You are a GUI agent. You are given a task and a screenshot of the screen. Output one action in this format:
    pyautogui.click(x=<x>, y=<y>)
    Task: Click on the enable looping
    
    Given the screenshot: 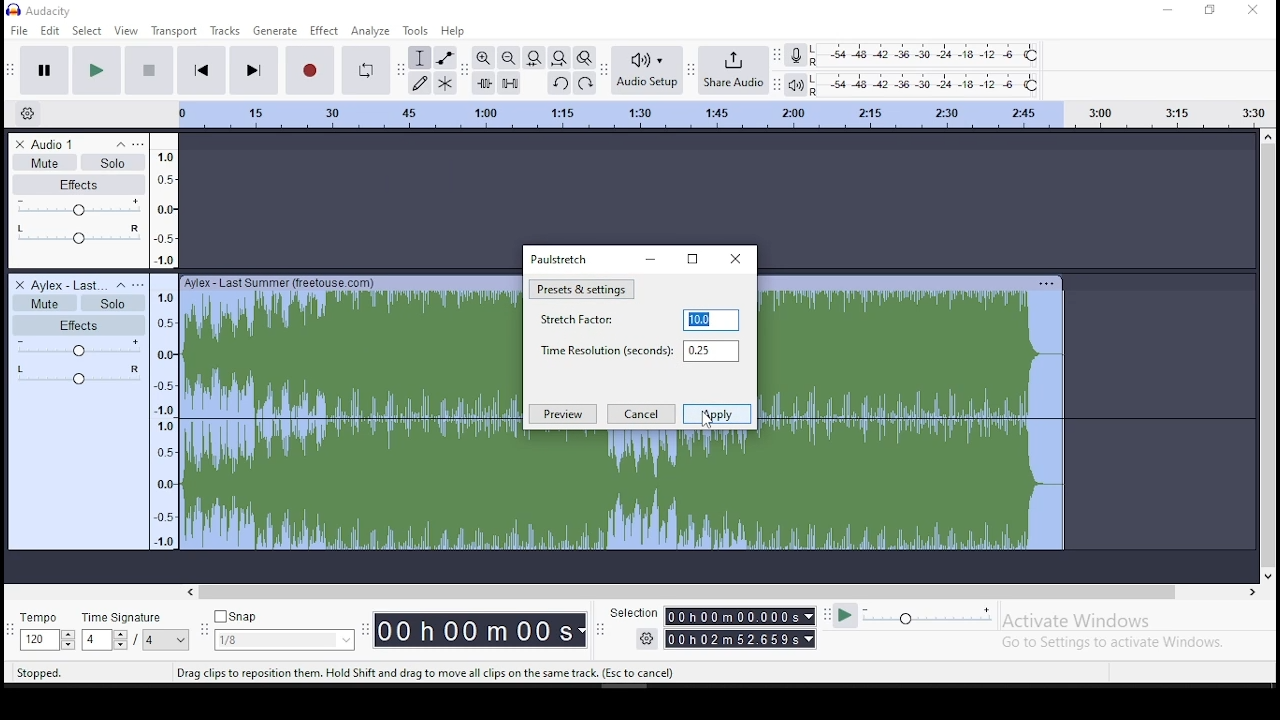 What is the action you would take?
    pyautogui.click(x=366, y=70)
    